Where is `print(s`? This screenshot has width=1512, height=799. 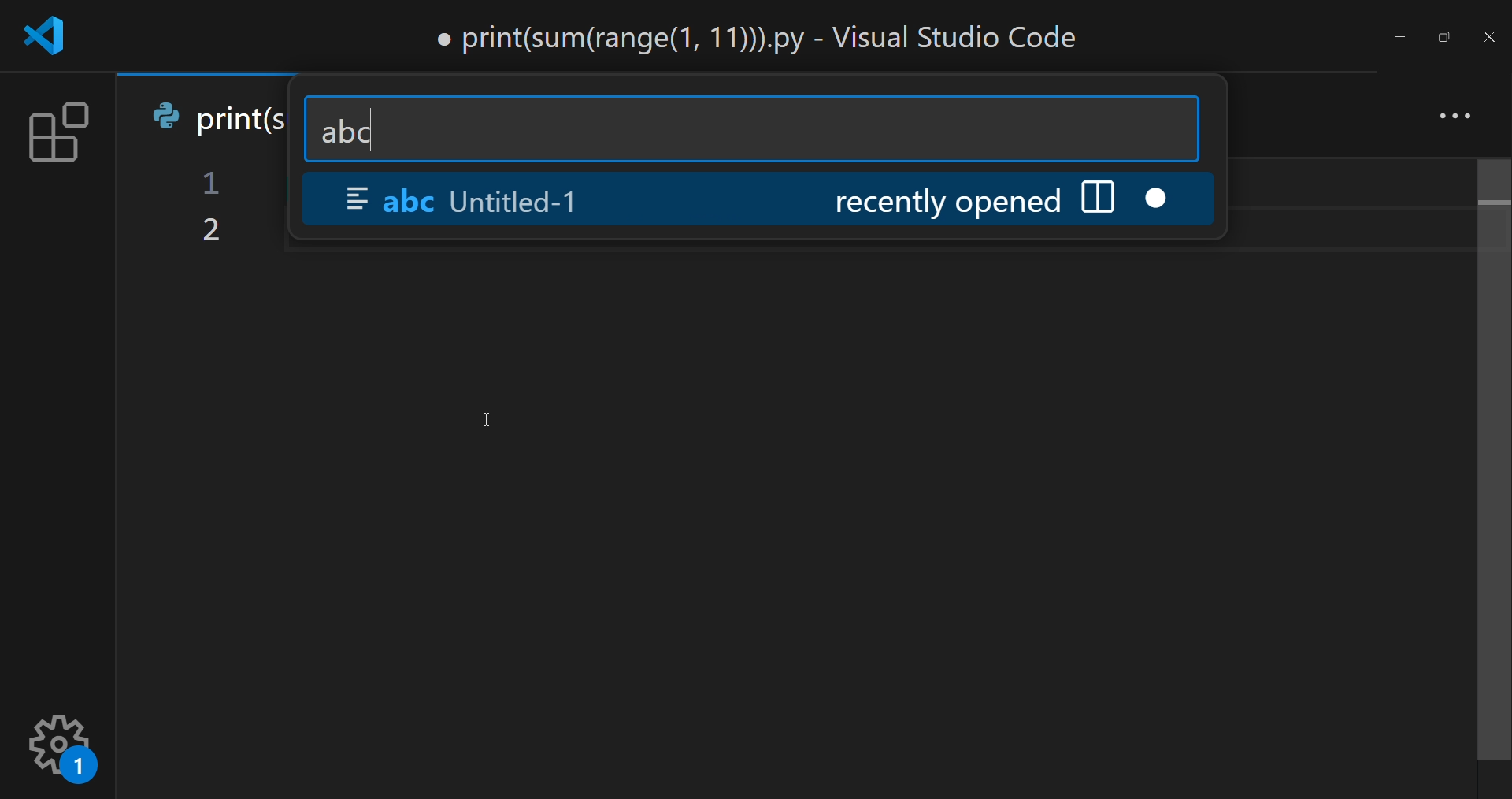 print(s is located at coordinates (213, 111).